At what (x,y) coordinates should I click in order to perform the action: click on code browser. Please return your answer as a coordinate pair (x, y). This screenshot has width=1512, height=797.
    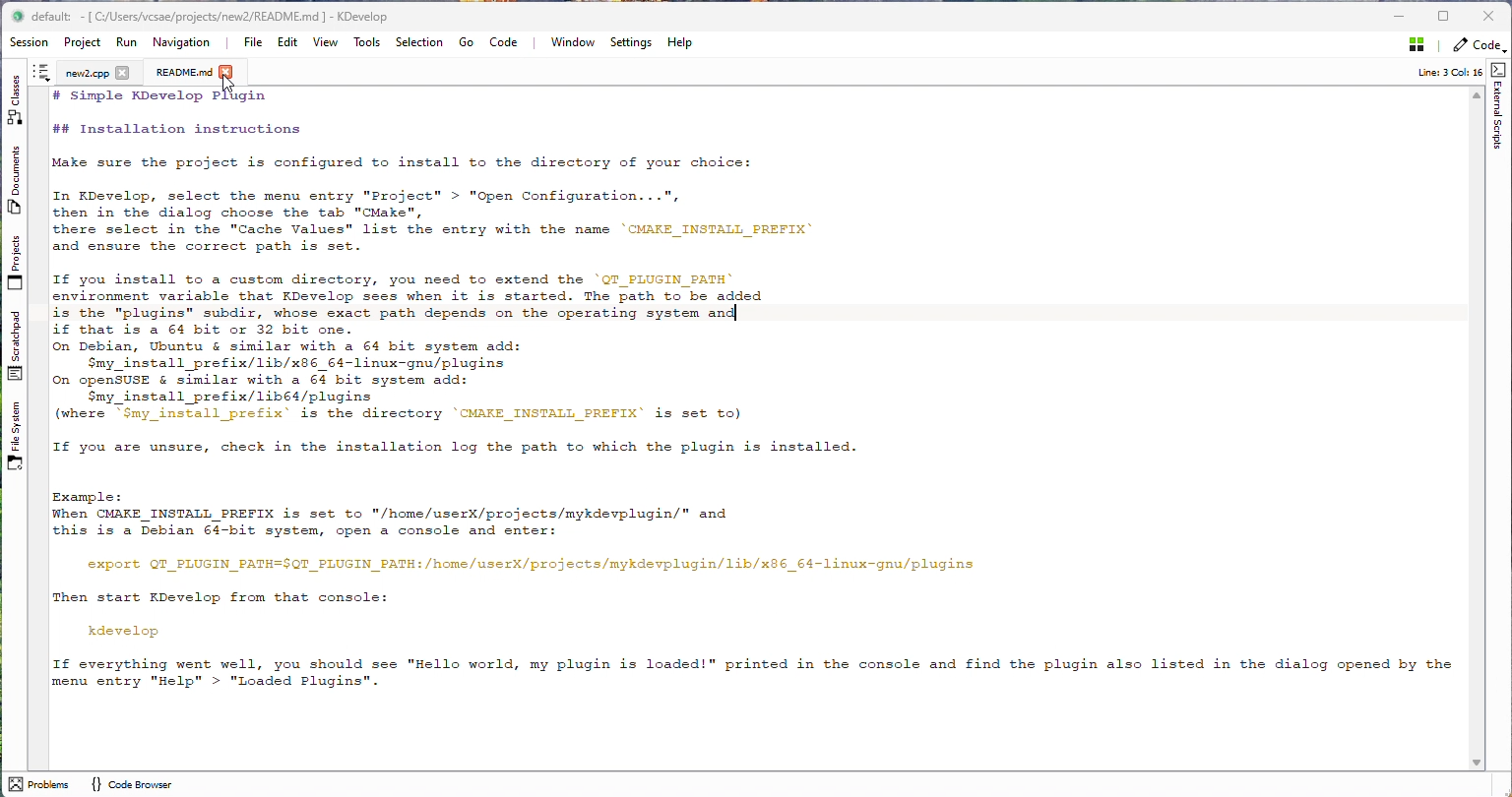
    Looking at the image, I should click on (154, 785).